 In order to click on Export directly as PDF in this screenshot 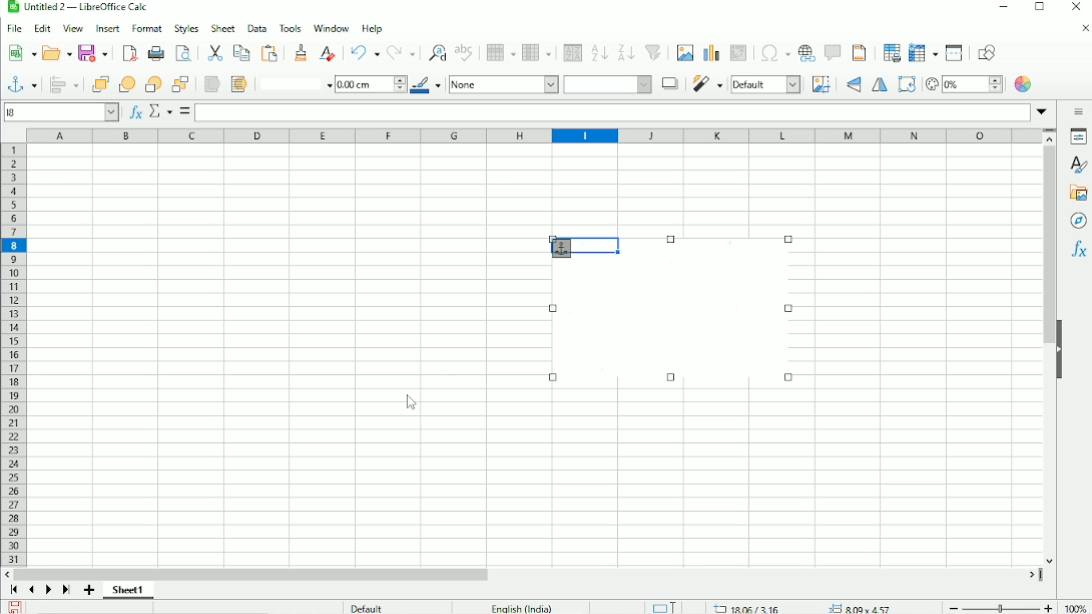, I will do `click(130, 54)`.